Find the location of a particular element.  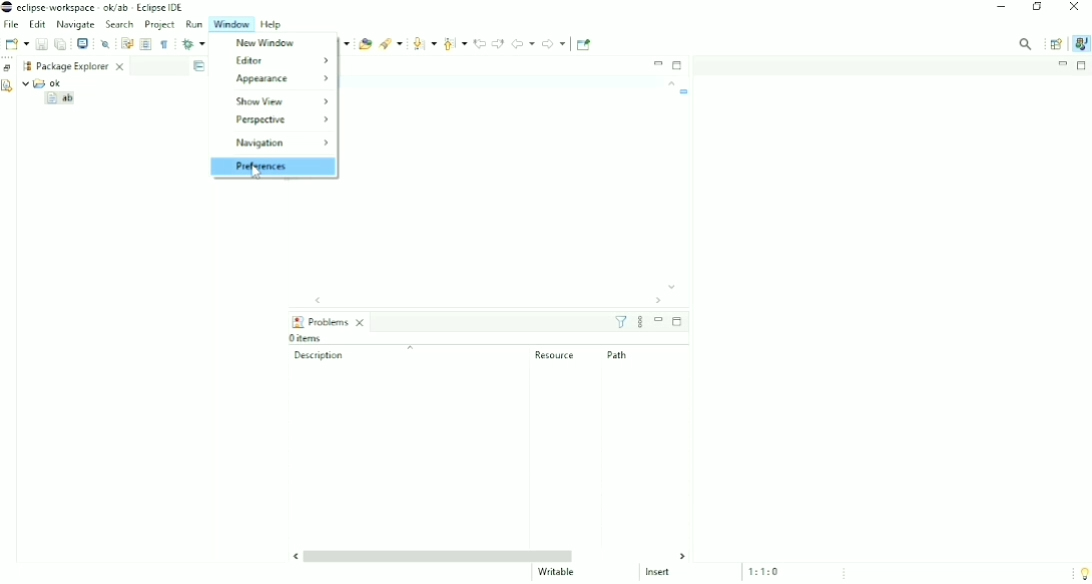

Minimize is located at coordinates (1001, 8).